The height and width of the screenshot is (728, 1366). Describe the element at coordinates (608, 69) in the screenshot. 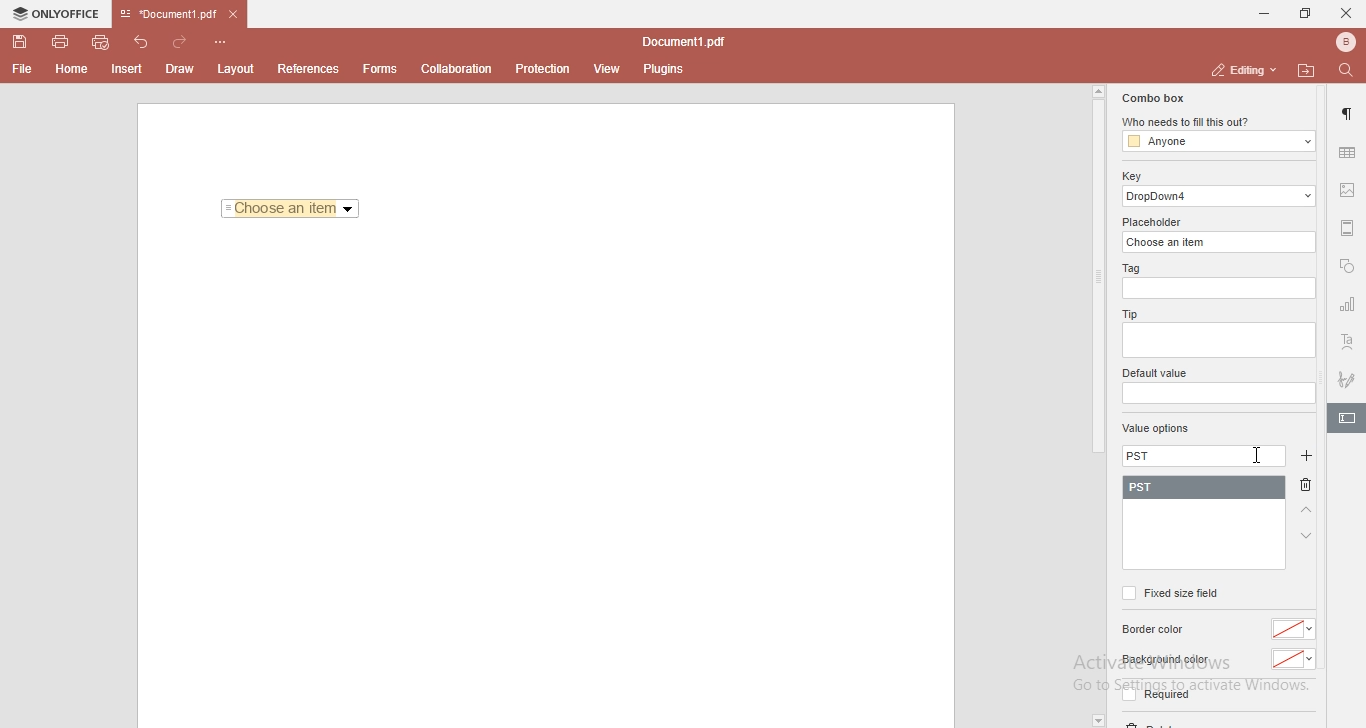

I see `view` at that location.